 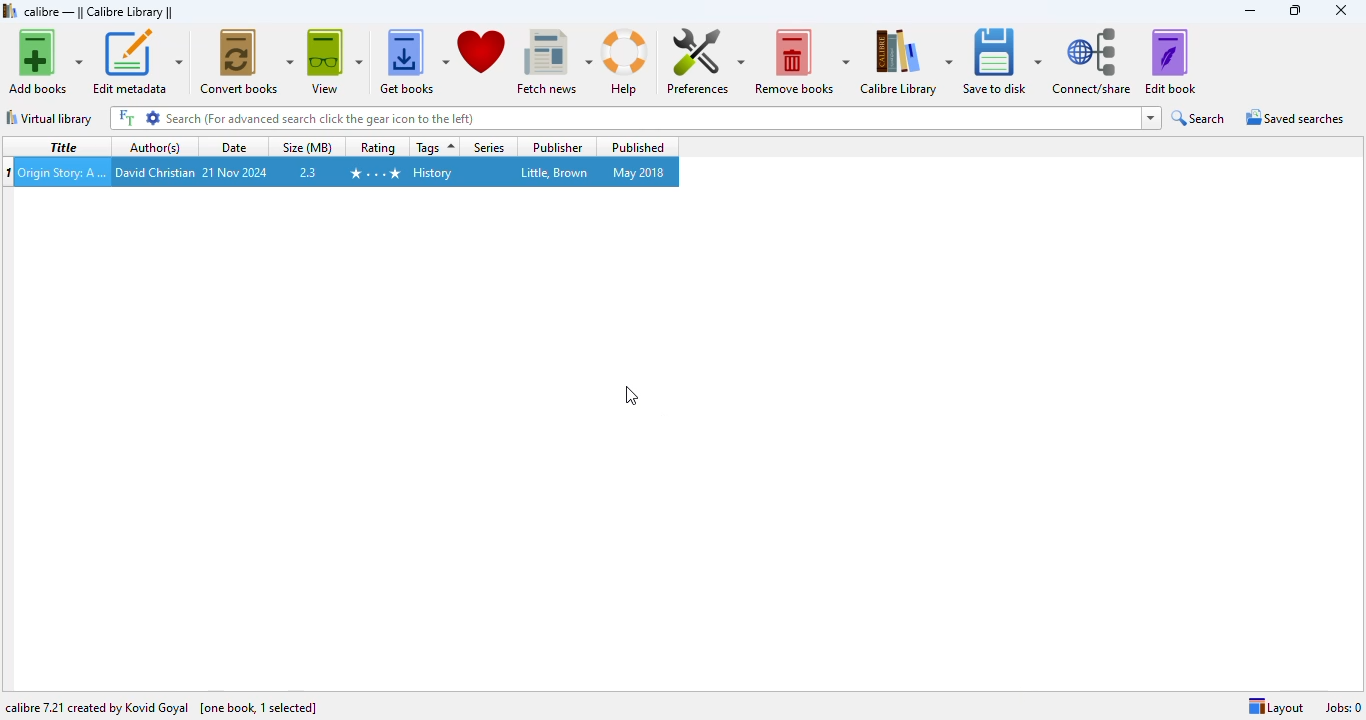 What do you see at coordinates (45, 61) in the screenshot?
I see `add books` at bounding box center [45, 61].